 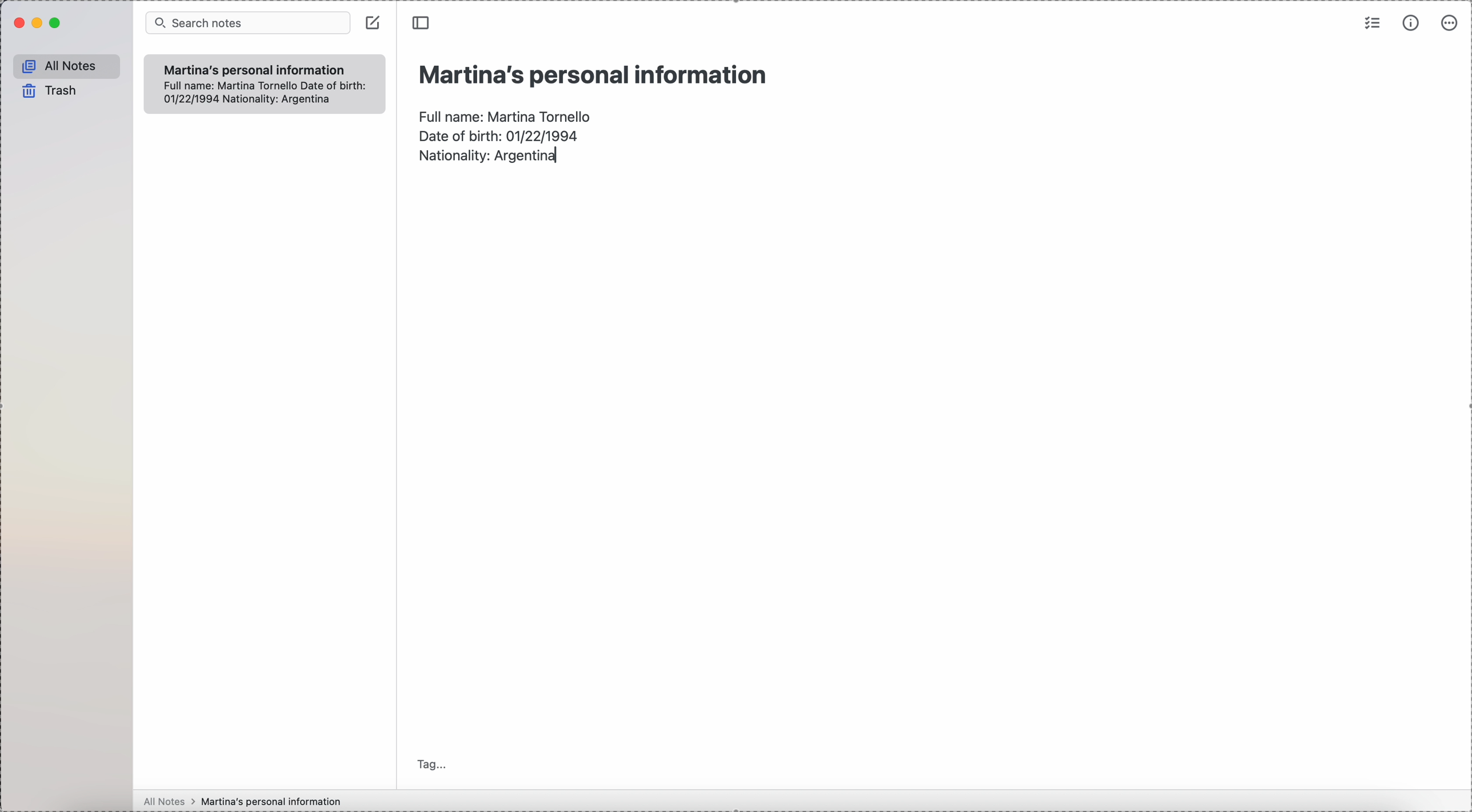 What do you see at coordinates (499, 134) in the screenshot?
I see `date of birth` at bounding box center [499, 134].